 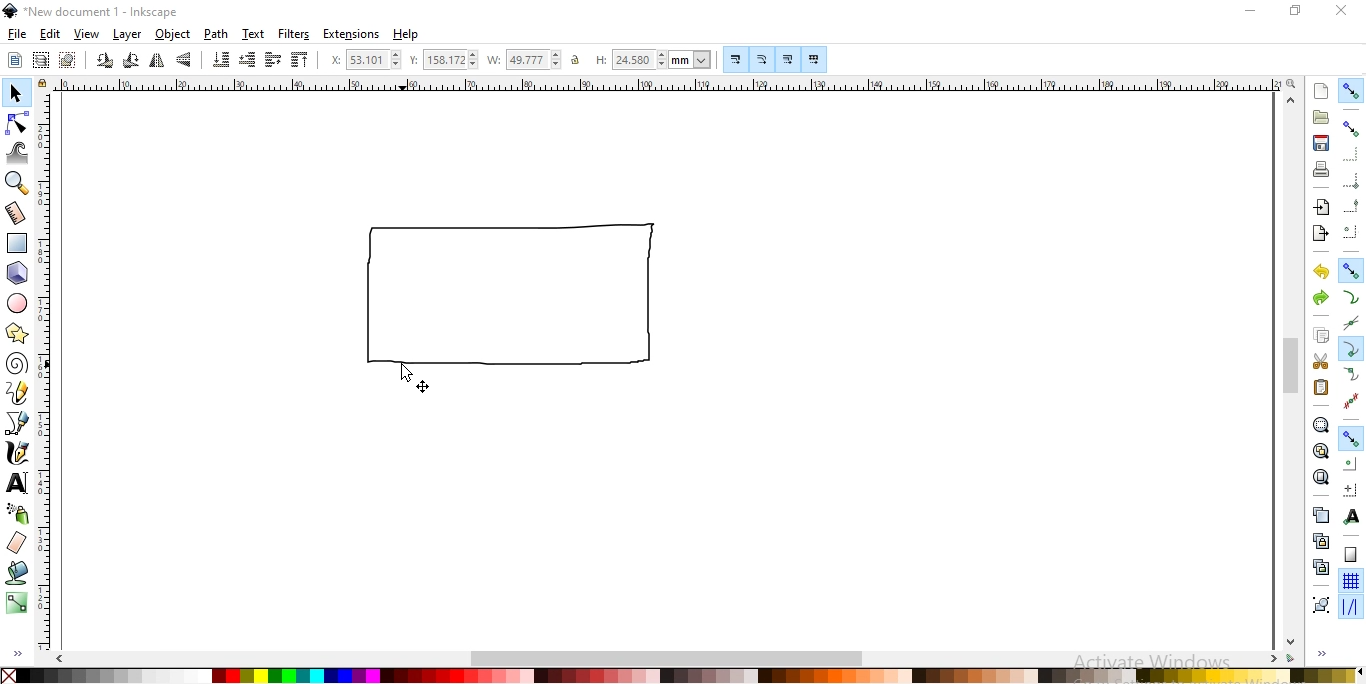 I want to click on snap to edges of bounding box, so click(x=1351, y=155).